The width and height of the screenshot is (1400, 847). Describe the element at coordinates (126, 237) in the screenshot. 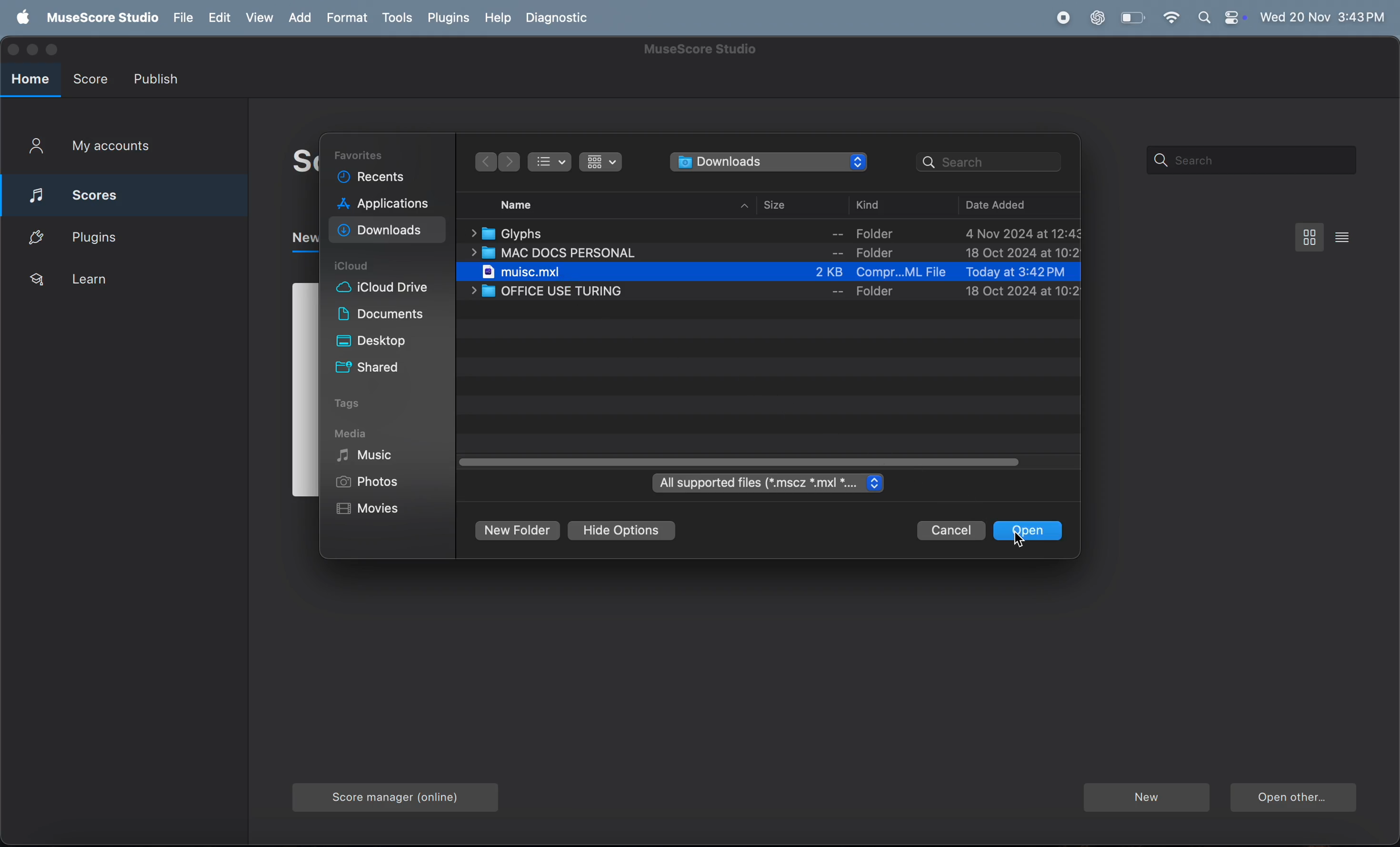

I see `plugins` at that location.